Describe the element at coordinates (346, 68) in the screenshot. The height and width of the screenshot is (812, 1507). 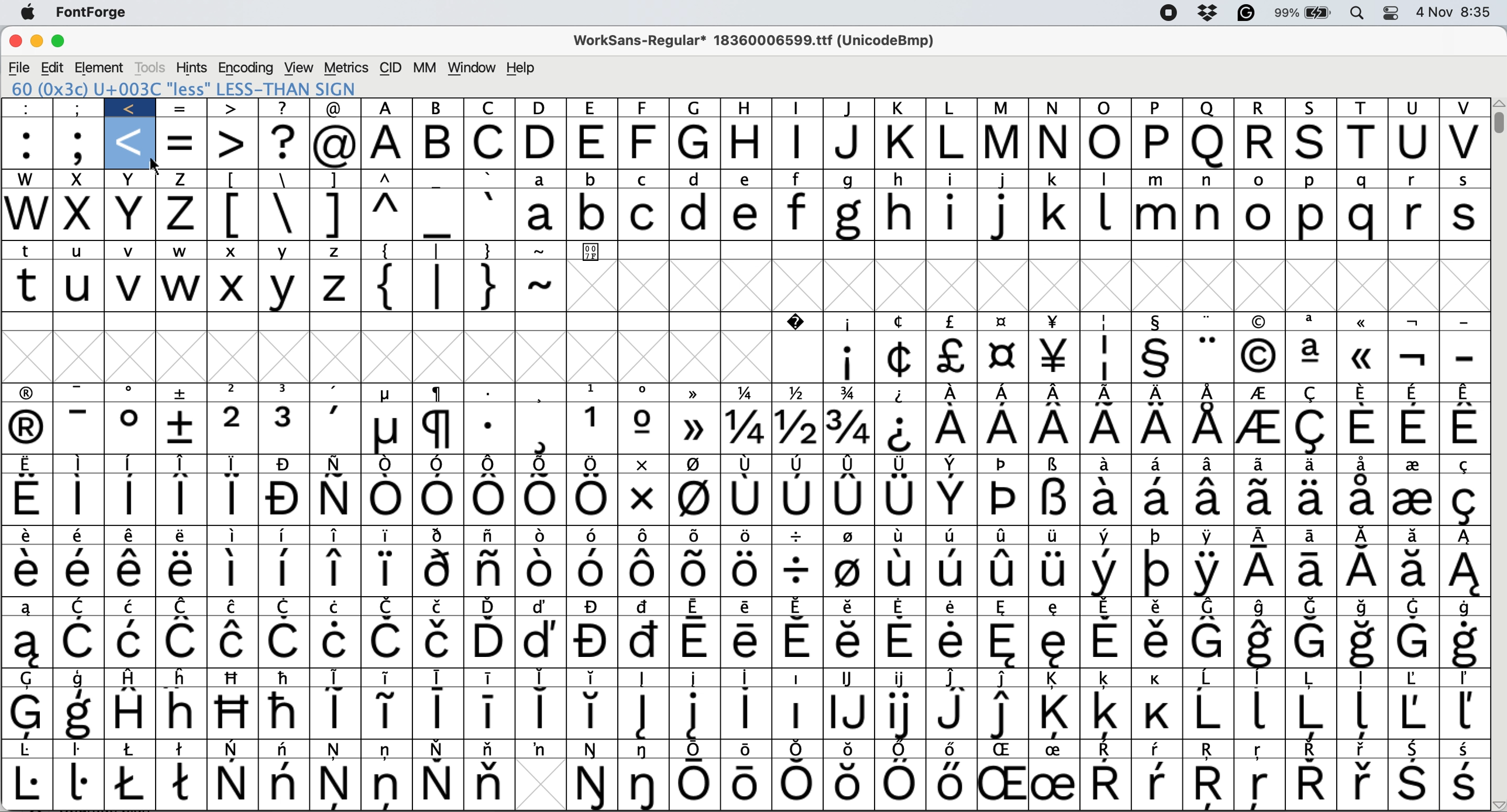
I see `metrics` at that location.